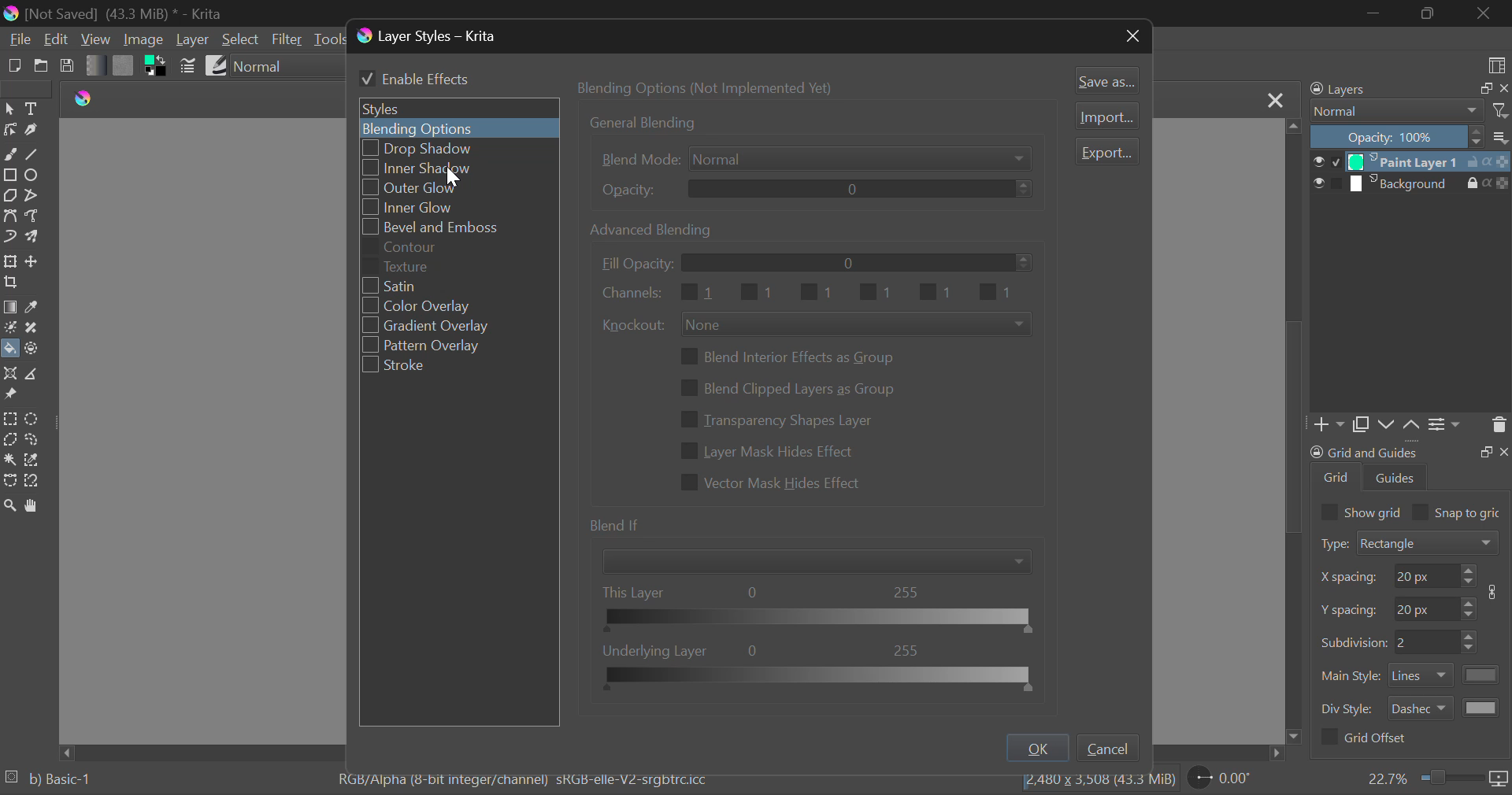 The width and height of the screenshot is (1512, 795). Describe the element at coordinates (187, 66) in the screenshot. I see `Brush Settings` at that location.